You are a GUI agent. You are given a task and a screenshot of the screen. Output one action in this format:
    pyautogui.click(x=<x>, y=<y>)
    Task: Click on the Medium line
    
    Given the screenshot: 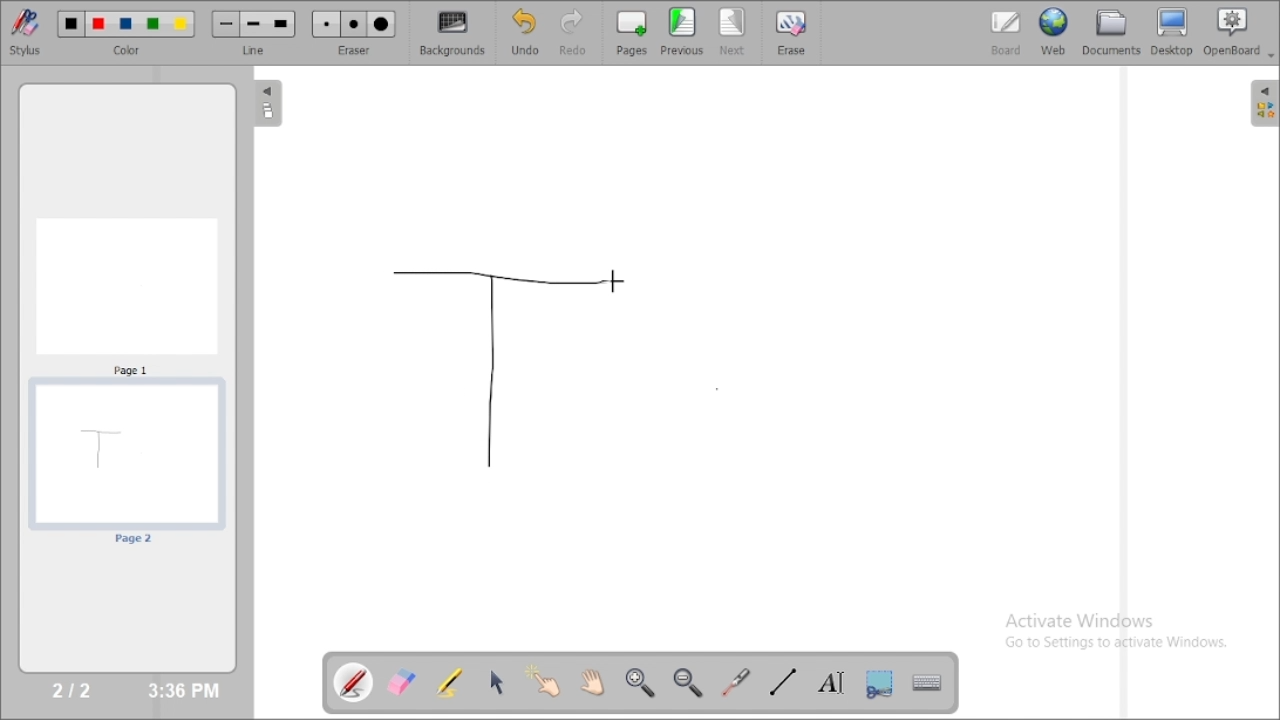 What is the action you would take?
    pyautogui.click(x=255, y=24)
    